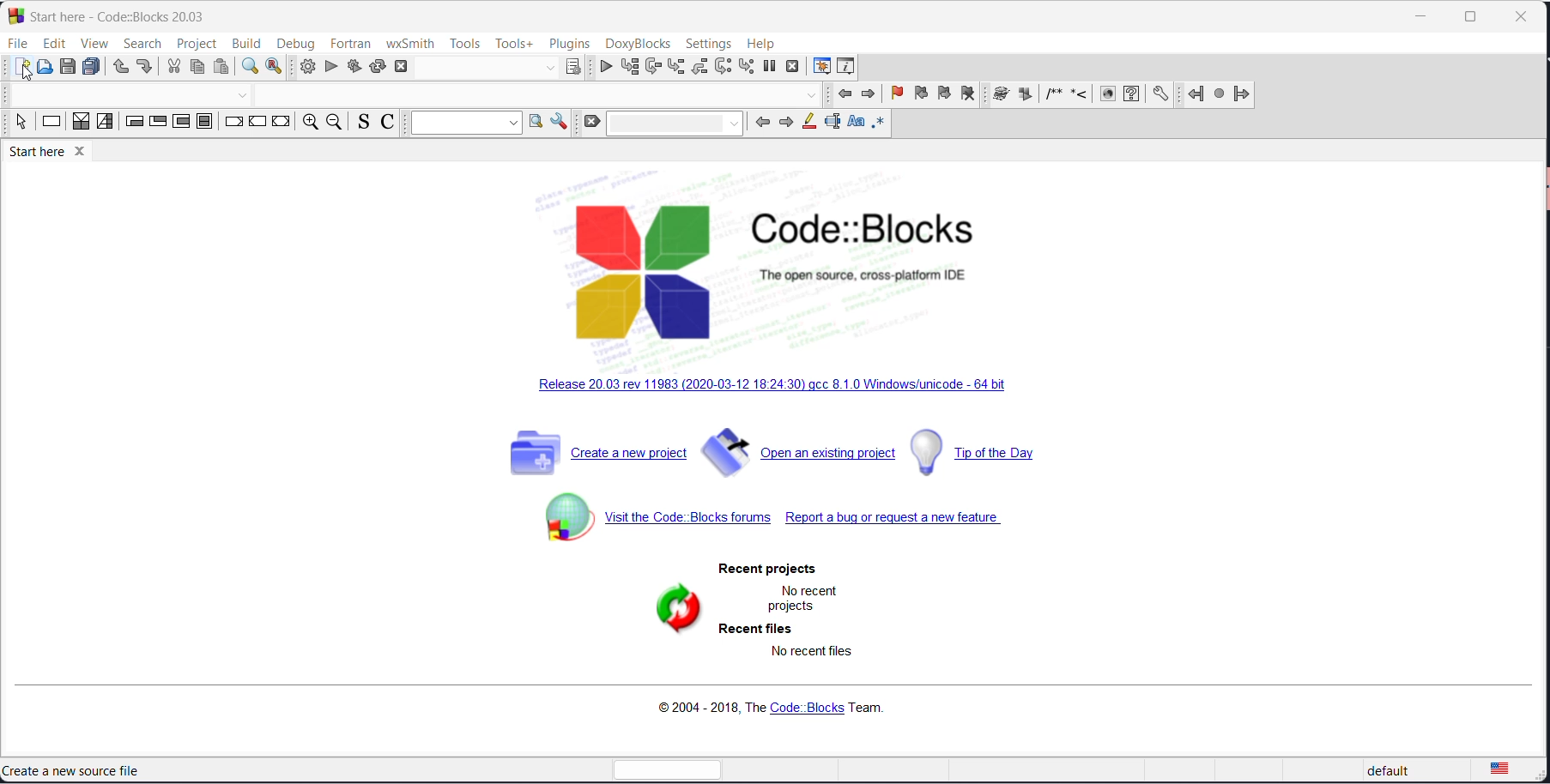 This screenshot has width=1550, height=784. Describe the element at coordinates (244, 96) in the screenshot. I see `dropdown button` at that location.